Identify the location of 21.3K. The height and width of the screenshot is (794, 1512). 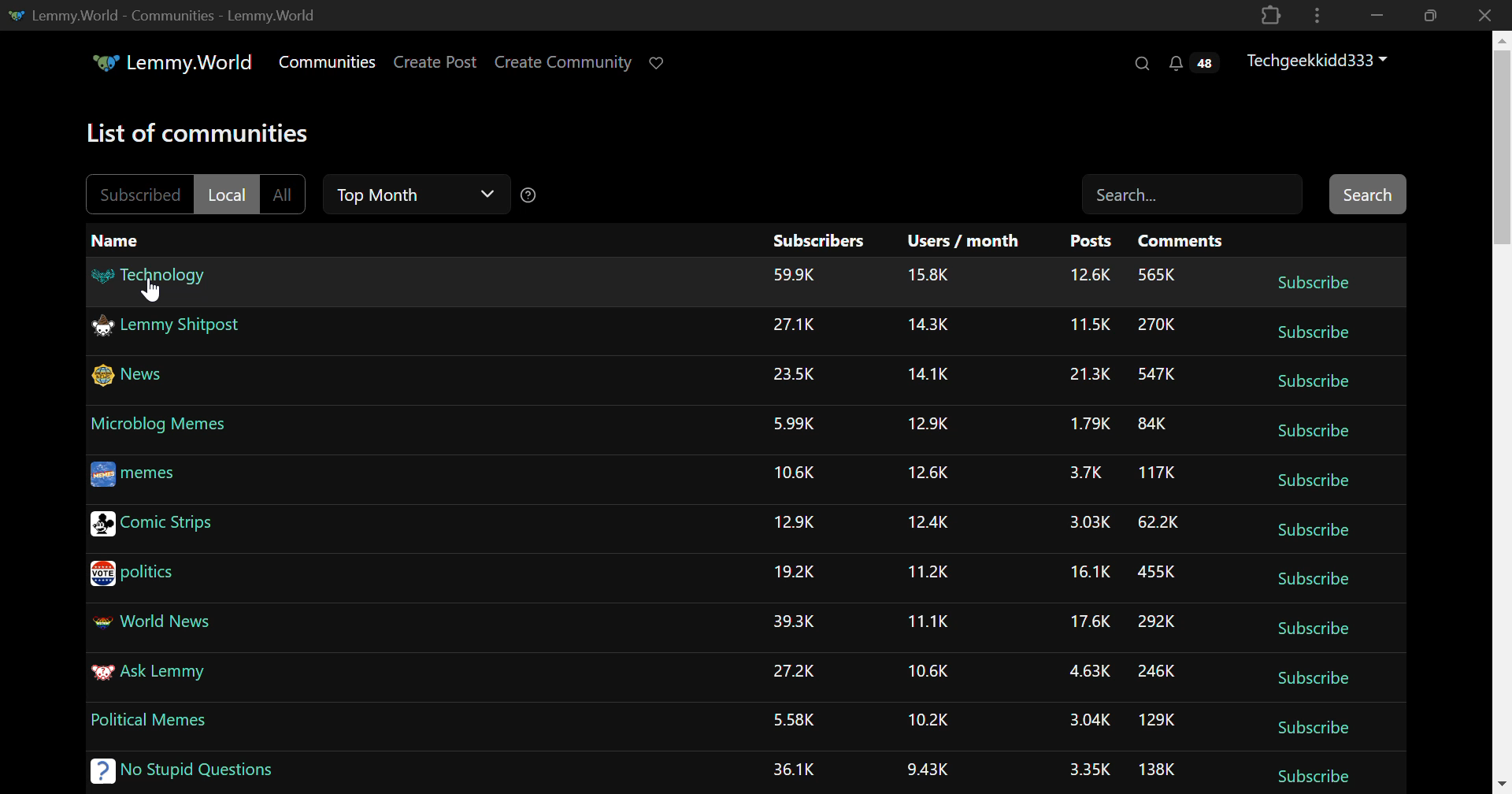
(1087, 378).